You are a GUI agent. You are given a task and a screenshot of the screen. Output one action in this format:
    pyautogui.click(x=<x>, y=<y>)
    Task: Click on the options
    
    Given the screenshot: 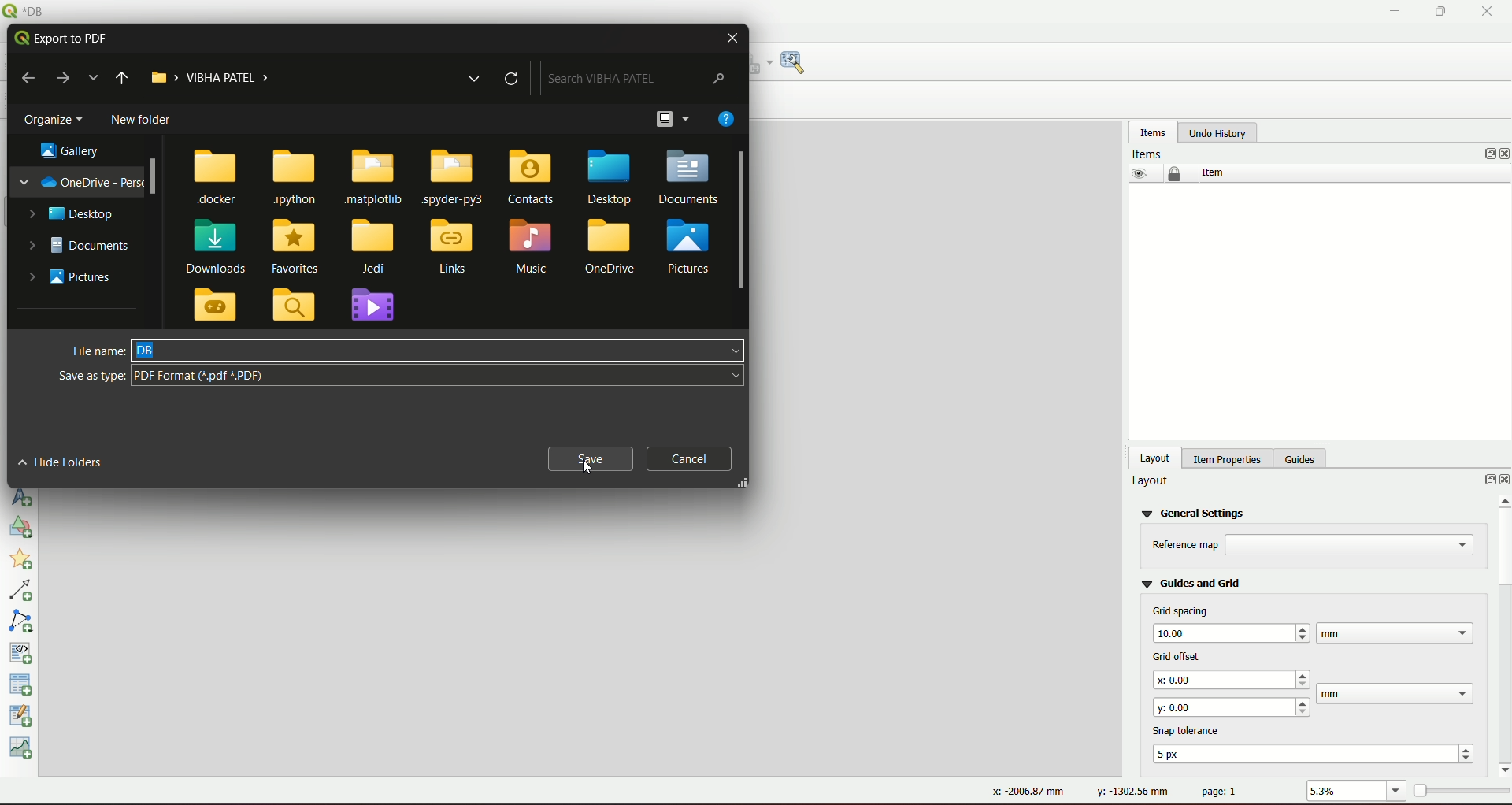 What is the action you would take?
    pyautogui.click(x=1482, y=154)
    